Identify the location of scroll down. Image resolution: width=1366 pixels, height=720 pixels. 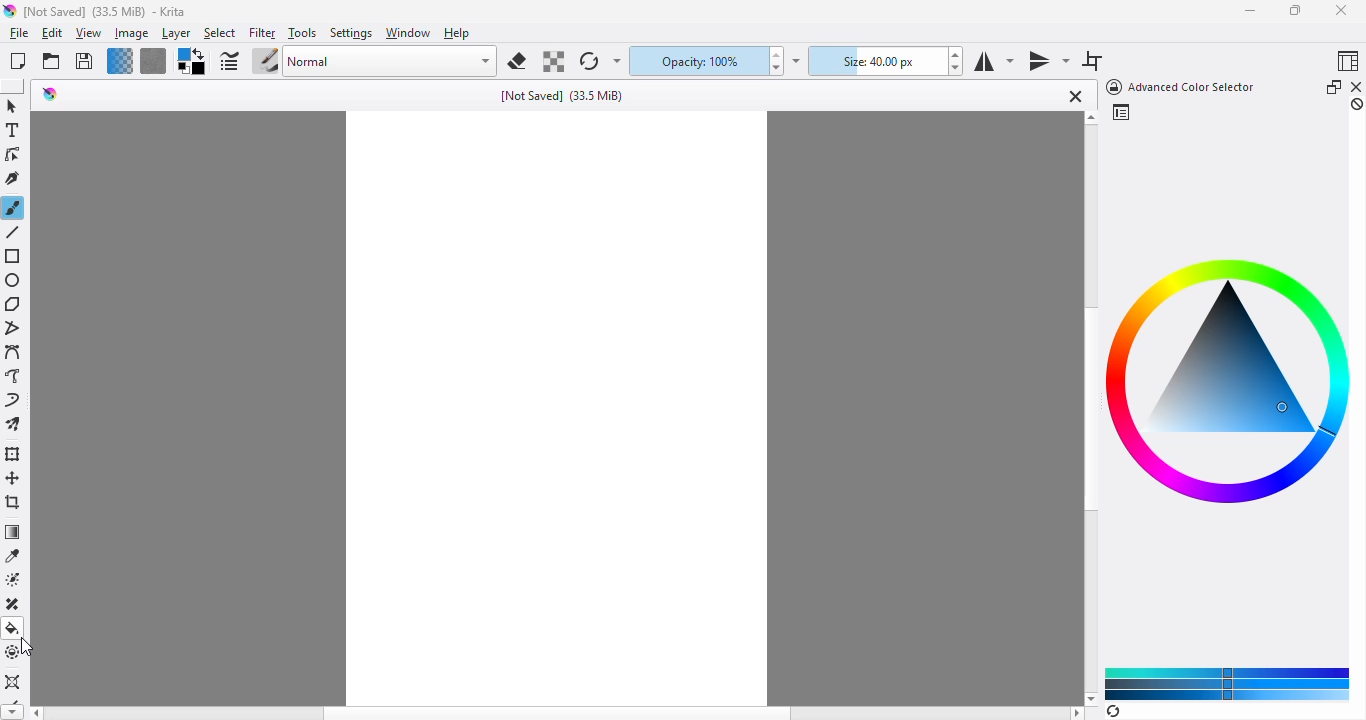
(12, 712).